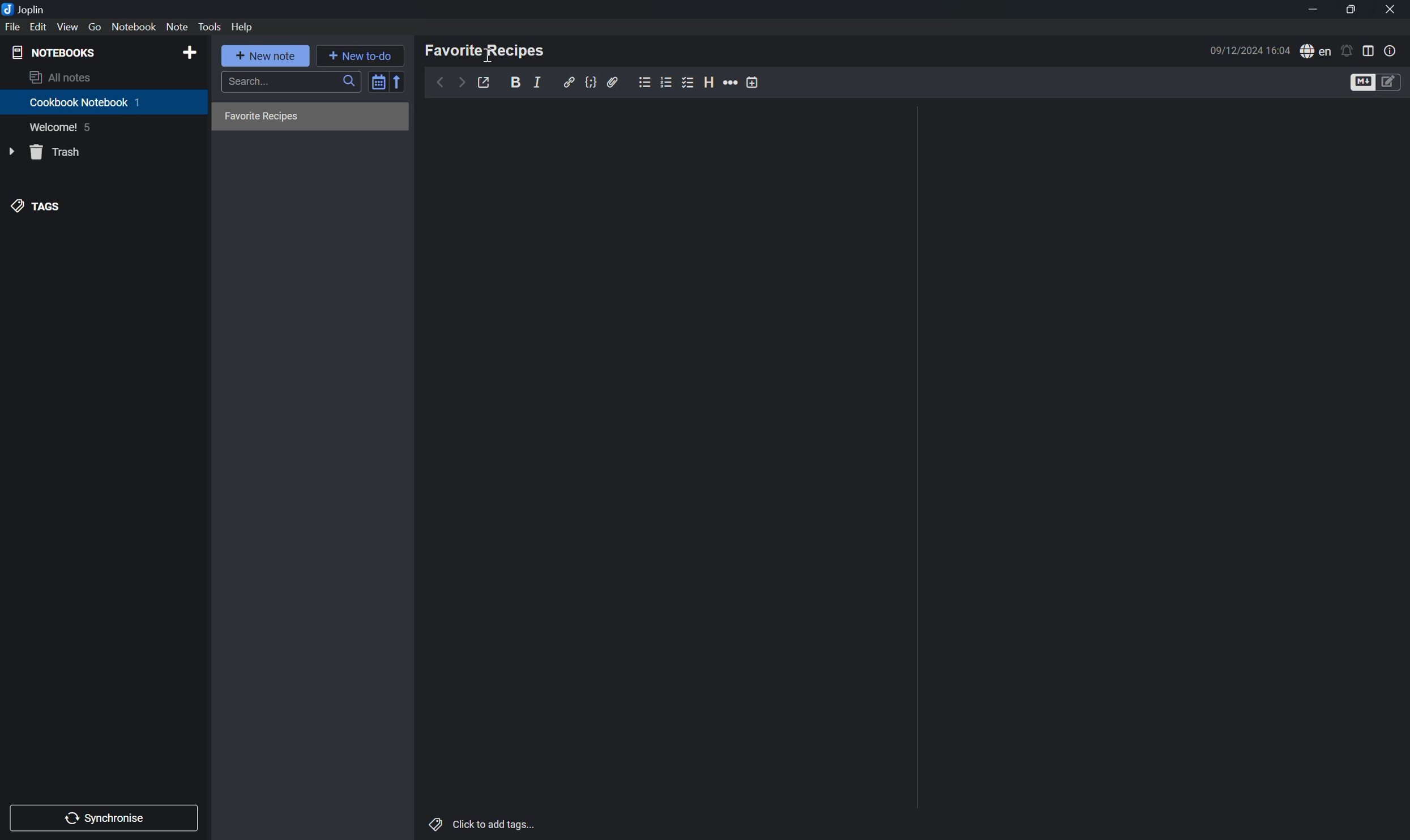 This screenshot has width=1410, height=840. I want to click on Attach file, so click(614, 83).